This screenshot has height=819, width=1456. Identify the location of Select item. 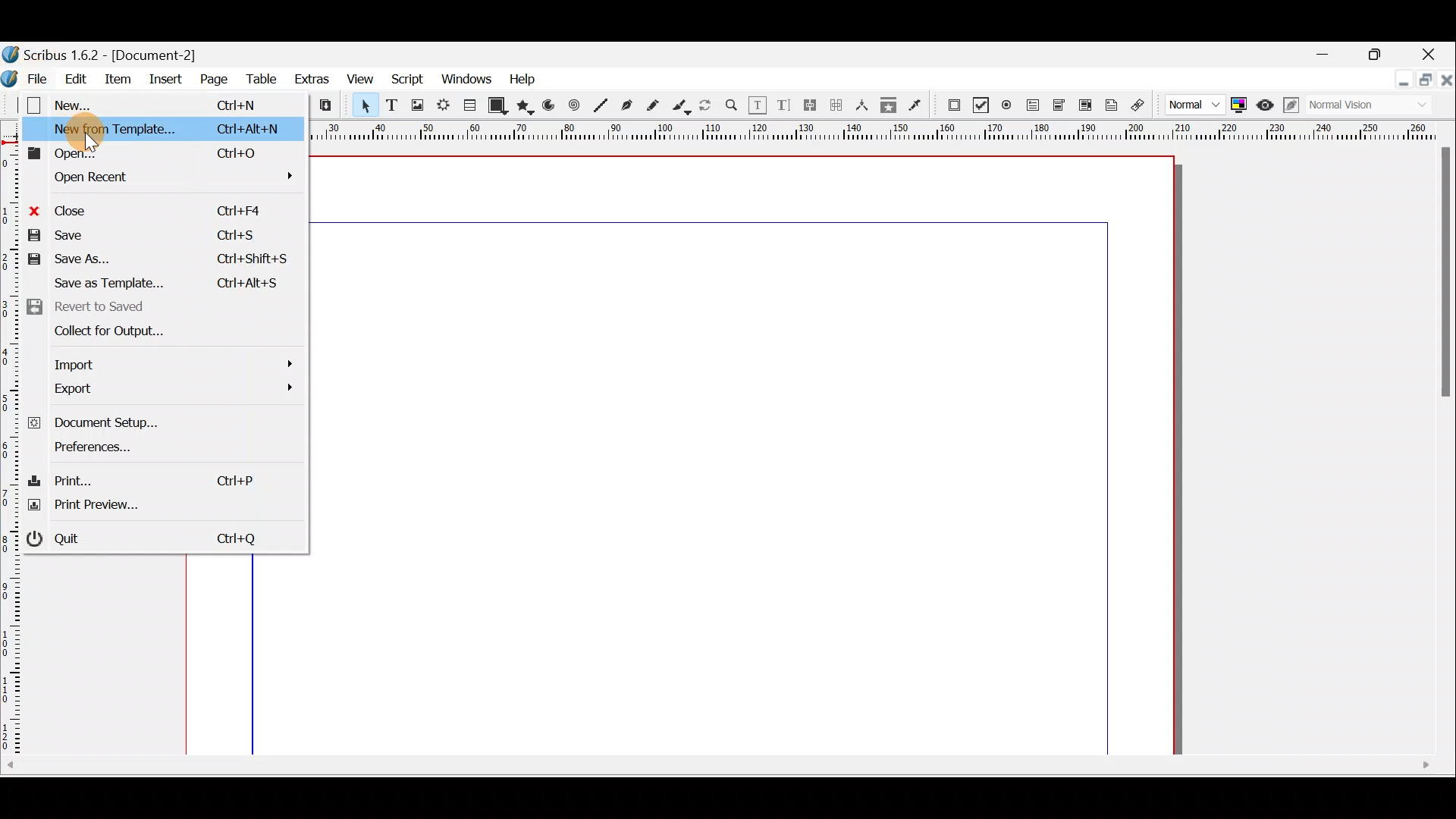
(366, 108).